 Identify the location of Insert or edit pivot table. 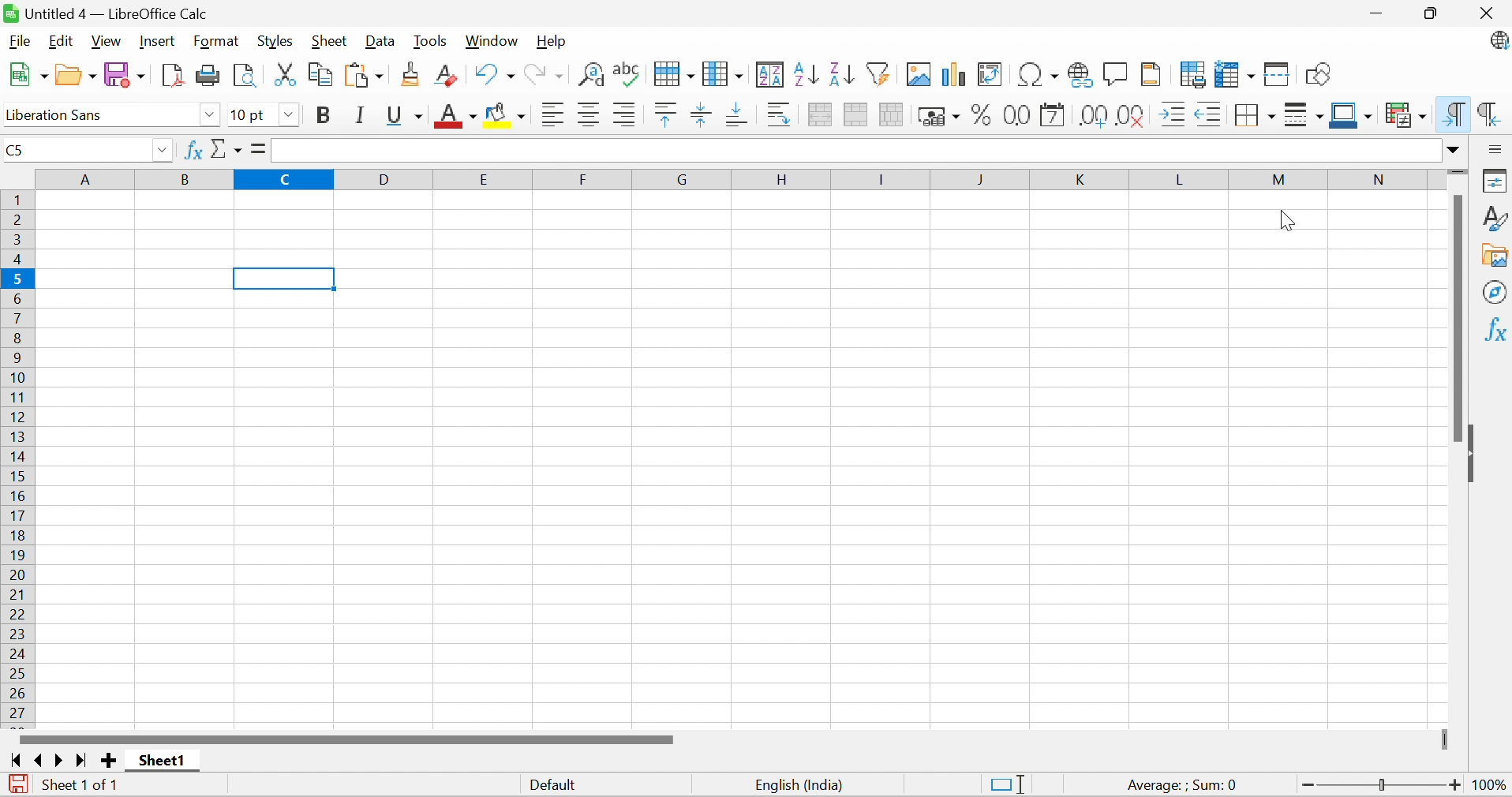
(991, 75).